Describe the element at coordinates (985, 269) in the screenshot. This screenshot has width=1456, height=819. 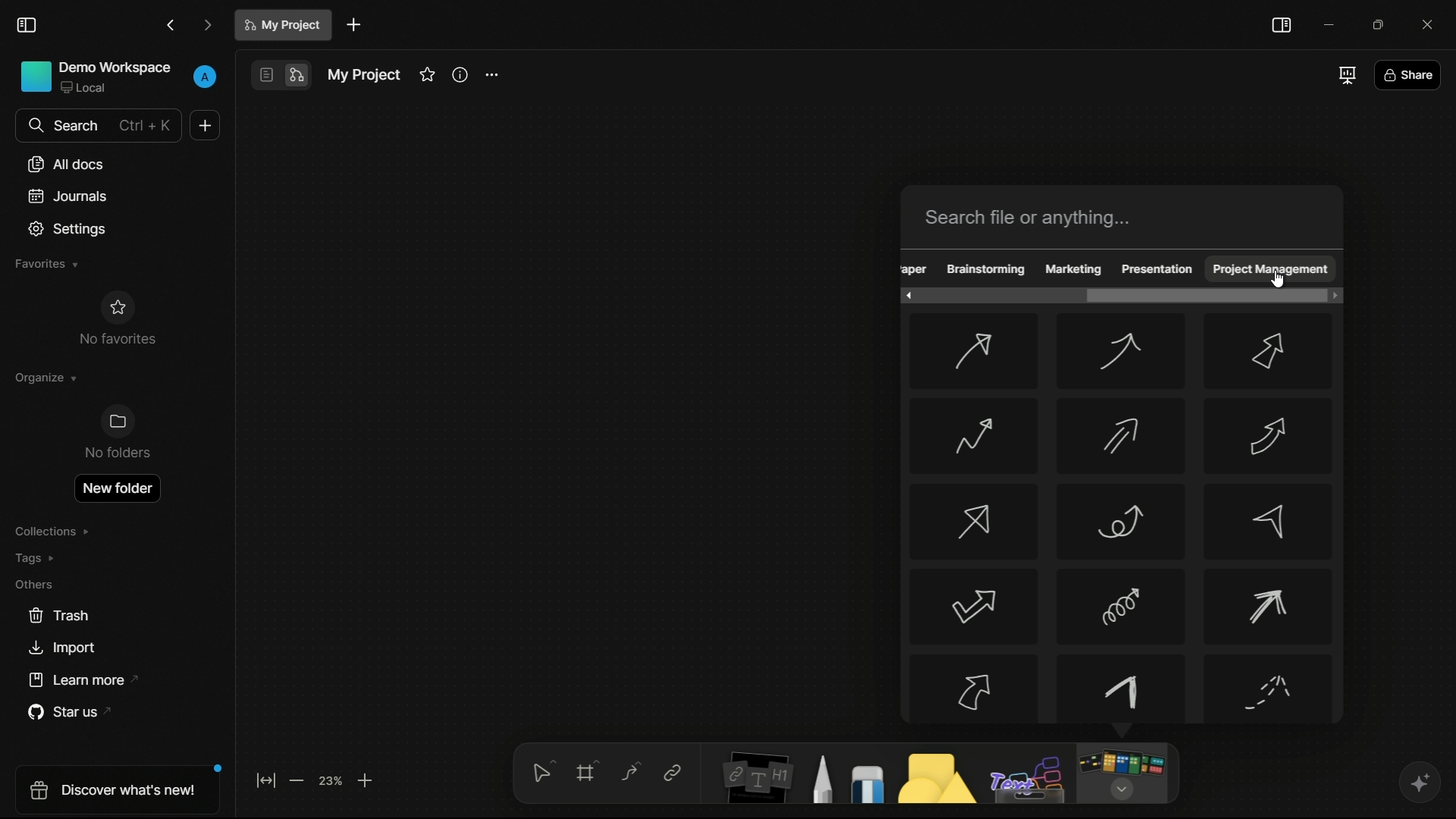
I see `brainstorming` at that location.